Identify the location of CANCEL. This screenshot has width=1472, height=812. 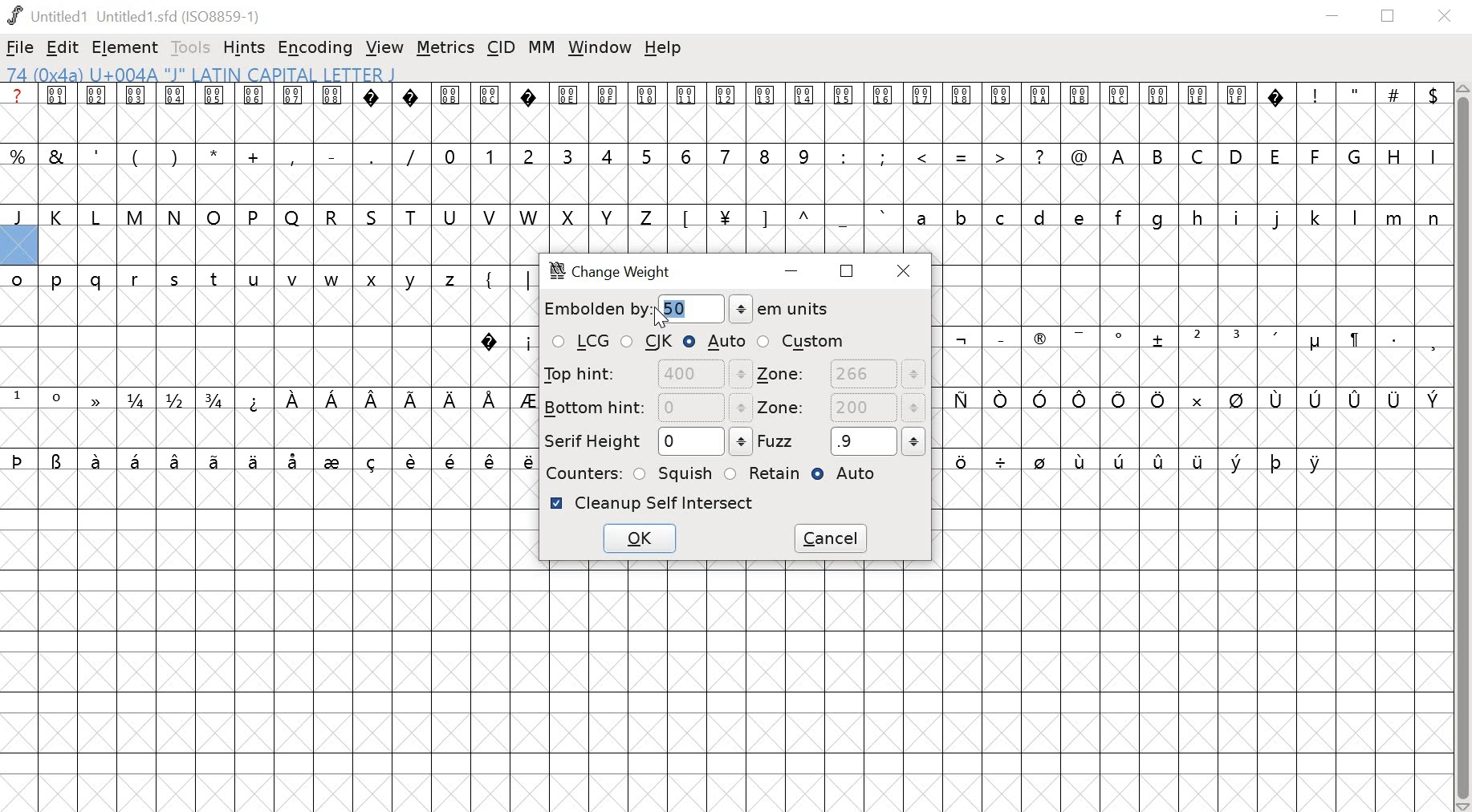
(833, 538).